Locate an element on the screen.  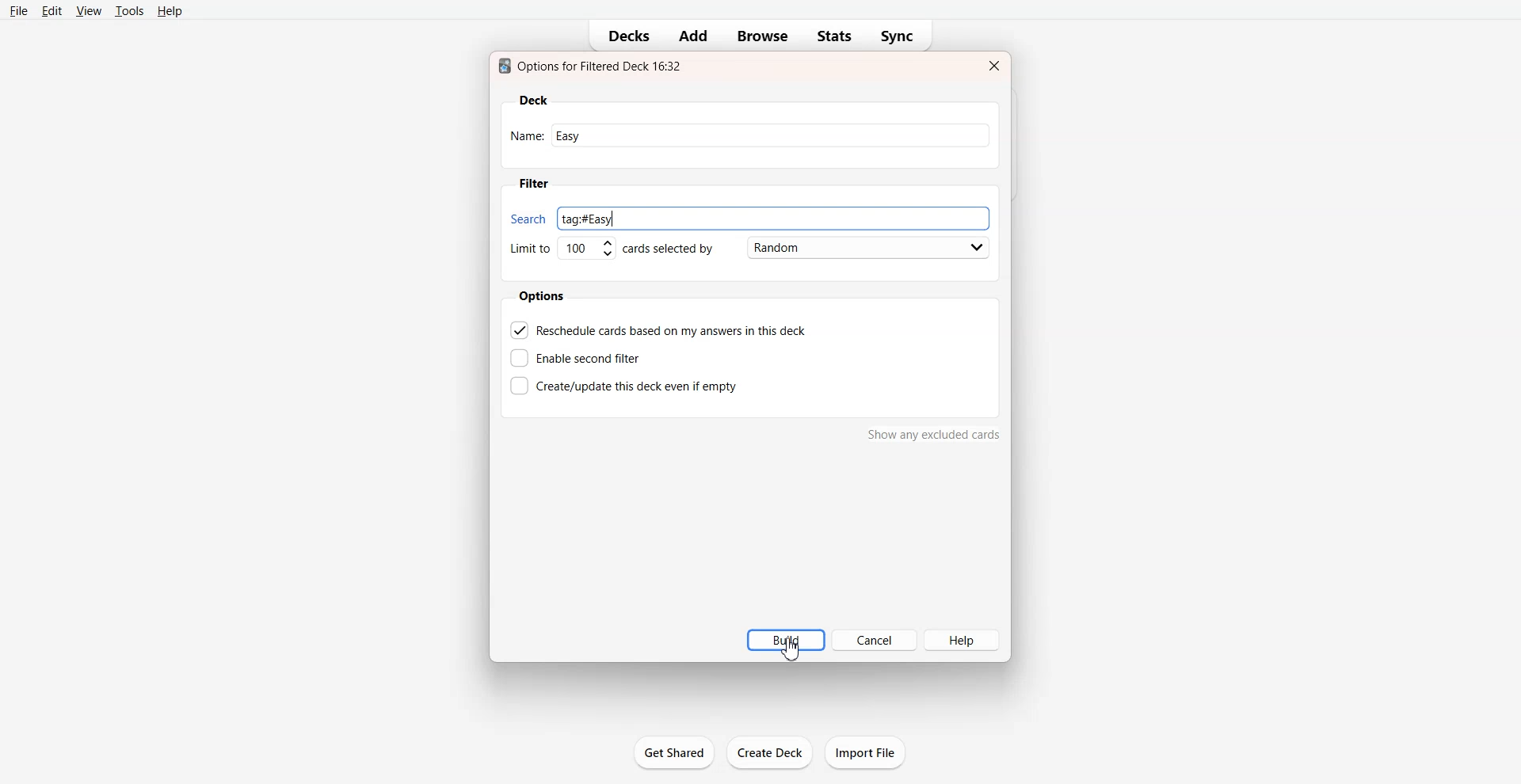
Cancel is located at coordinates (874, 640).